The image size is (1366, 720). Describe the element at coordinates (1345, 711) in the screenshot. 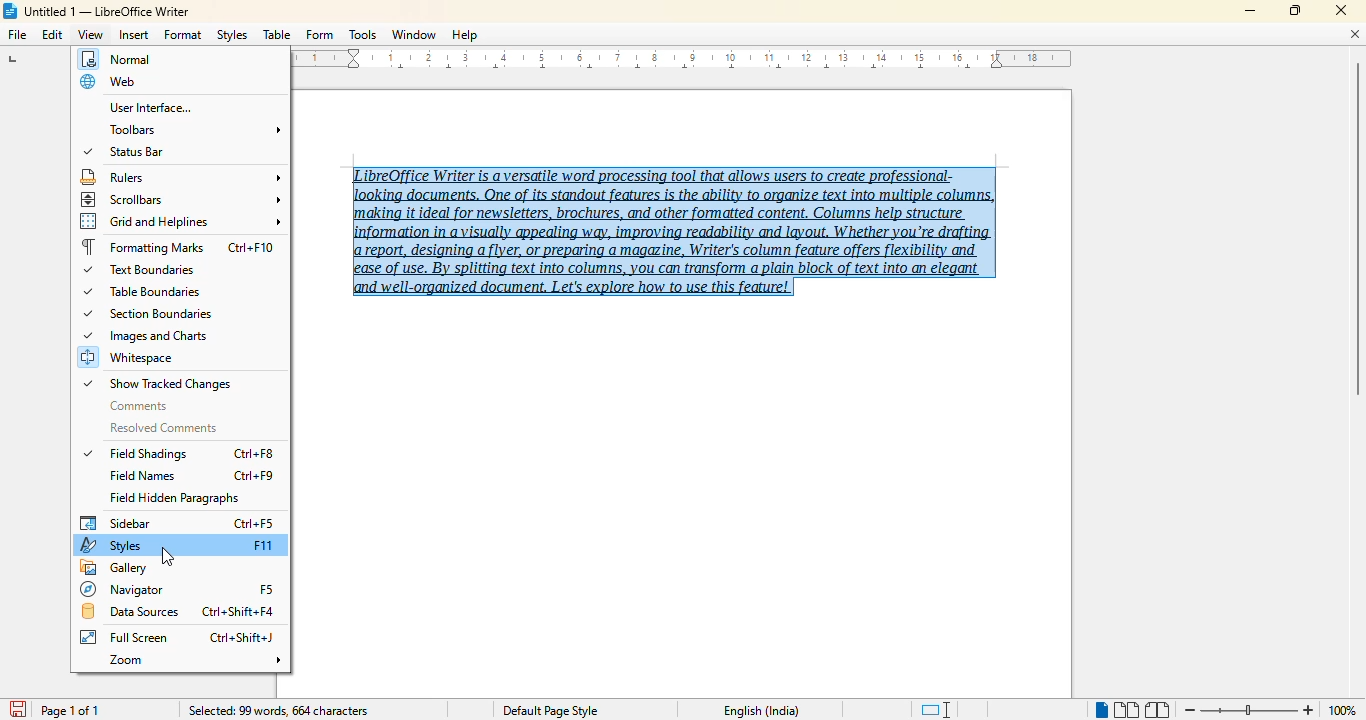

I see `100% (change zoom level)` at that location.